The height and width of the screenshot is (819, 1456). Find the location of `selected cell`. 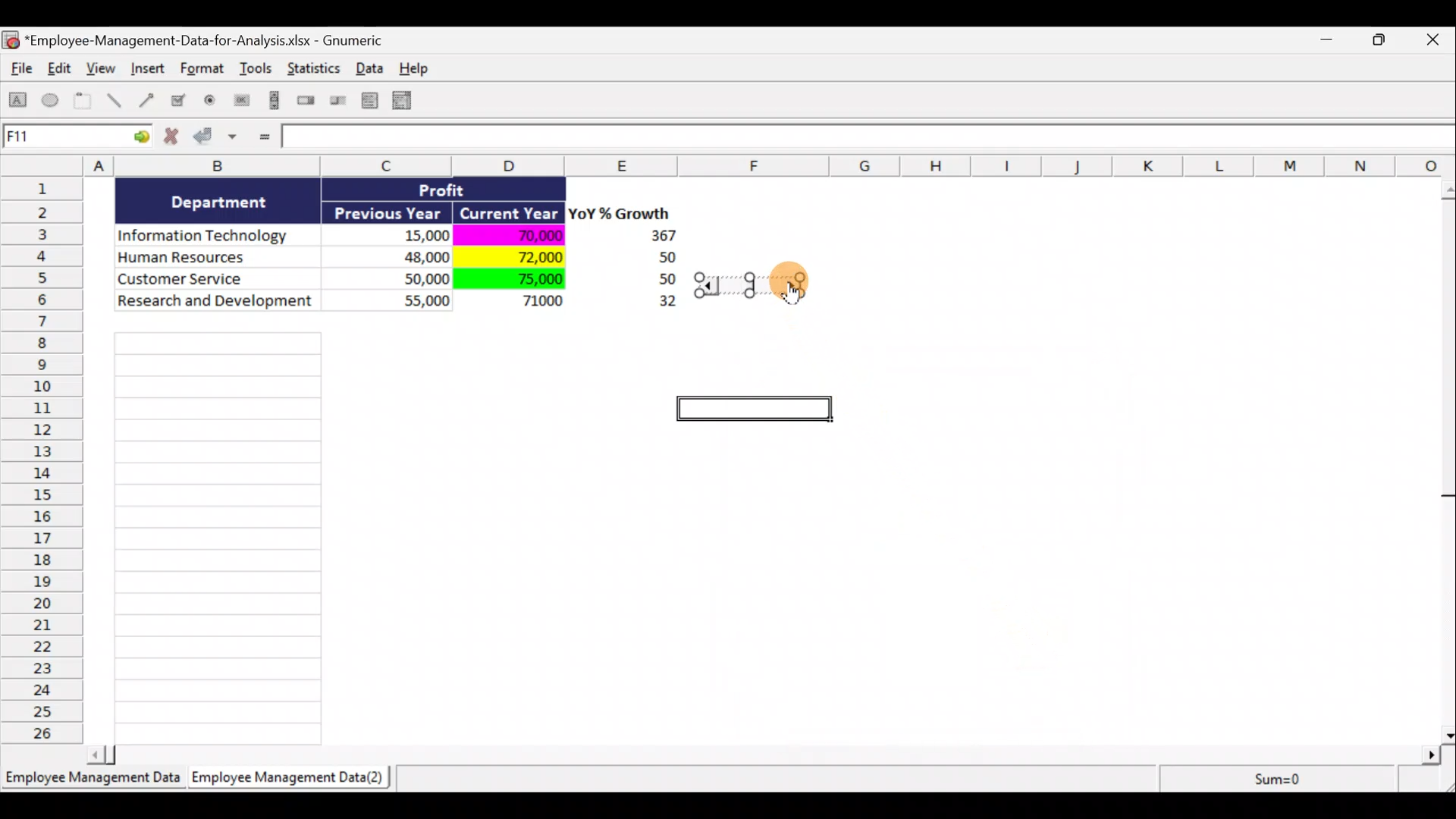

selected cell is located at coordinates (758, 410).